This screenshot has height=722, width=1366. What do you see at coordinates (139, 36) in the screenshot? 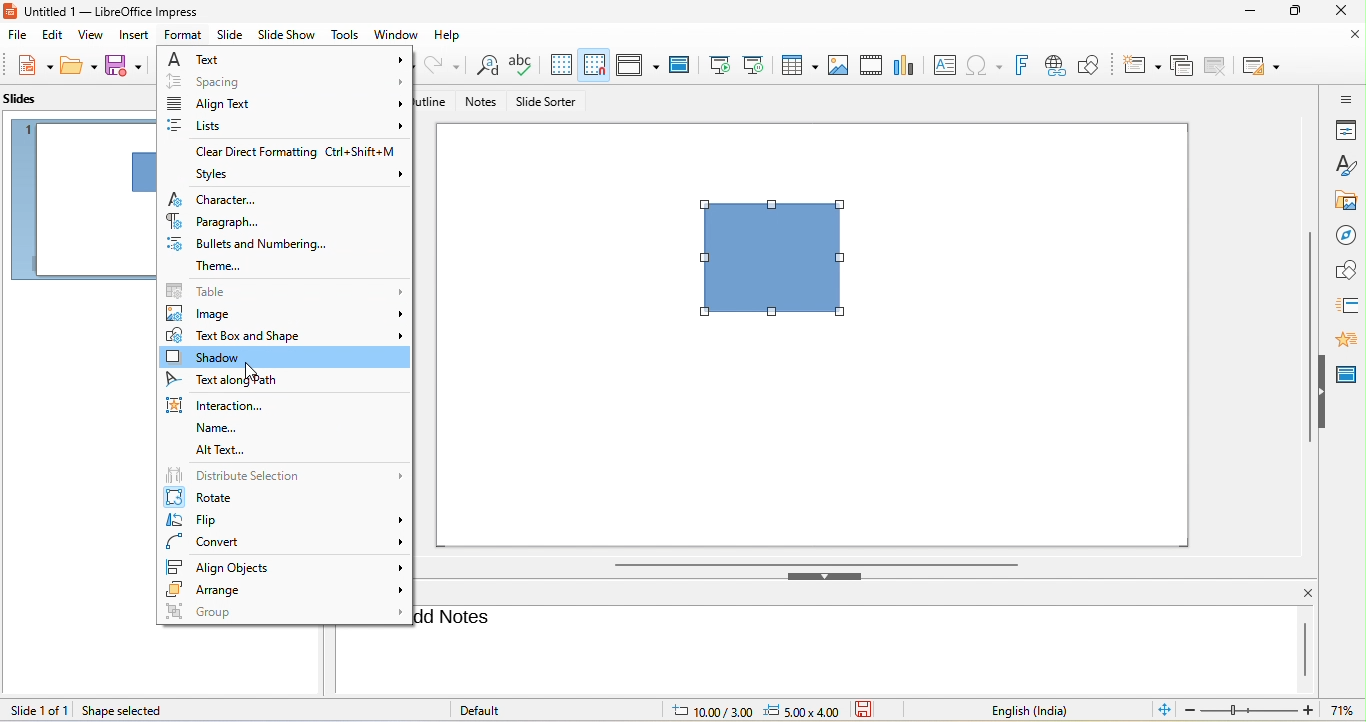
I see `insert` at bounding box center [139, 36].